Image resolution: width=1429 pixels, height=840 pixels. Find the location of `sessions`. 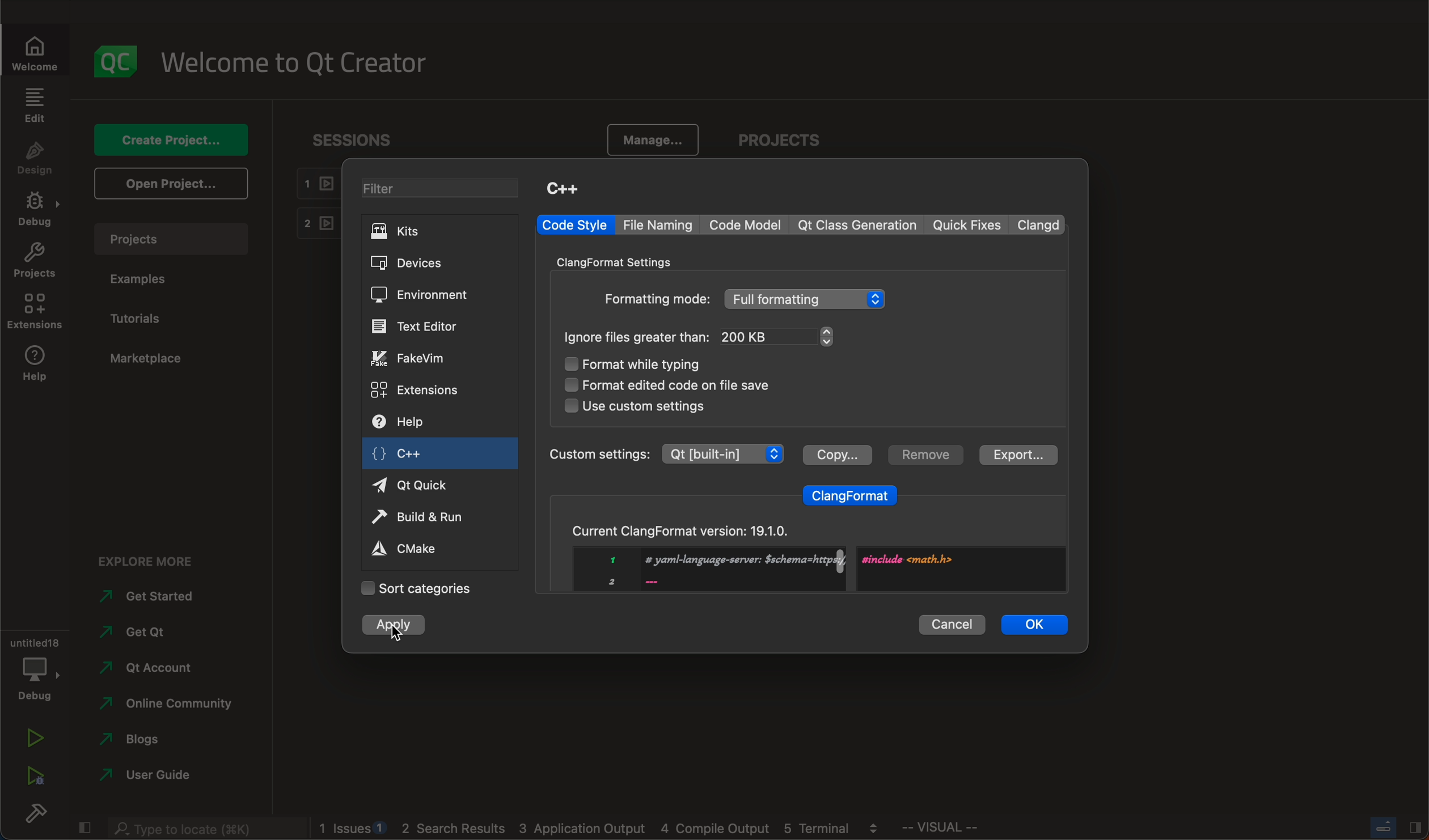

sessions is located at coordinates (362, 139).